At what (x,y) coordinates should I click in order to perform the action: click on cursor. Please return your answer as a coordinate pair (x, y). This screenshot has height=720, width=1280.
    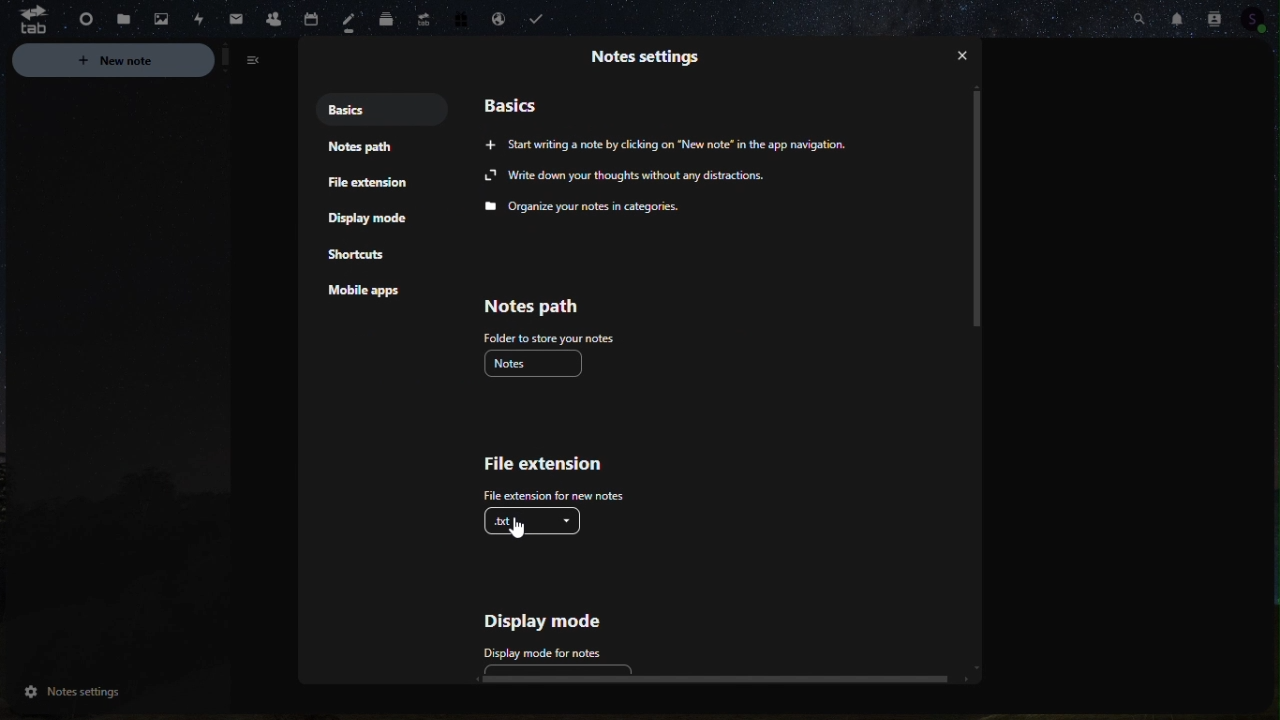
    Looking at the image, I should click on (523, 529).